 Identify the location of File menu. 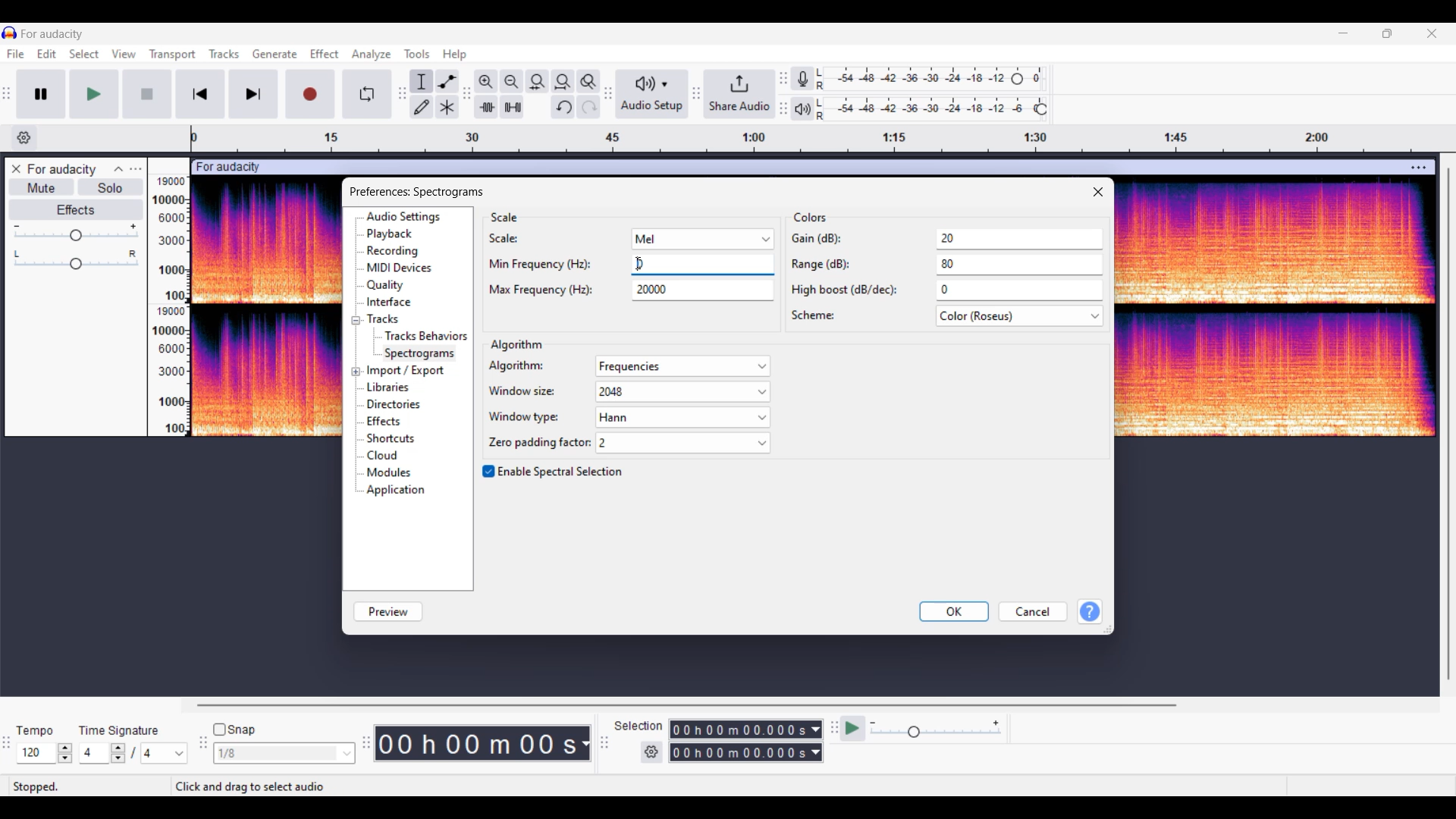
(16, 54).